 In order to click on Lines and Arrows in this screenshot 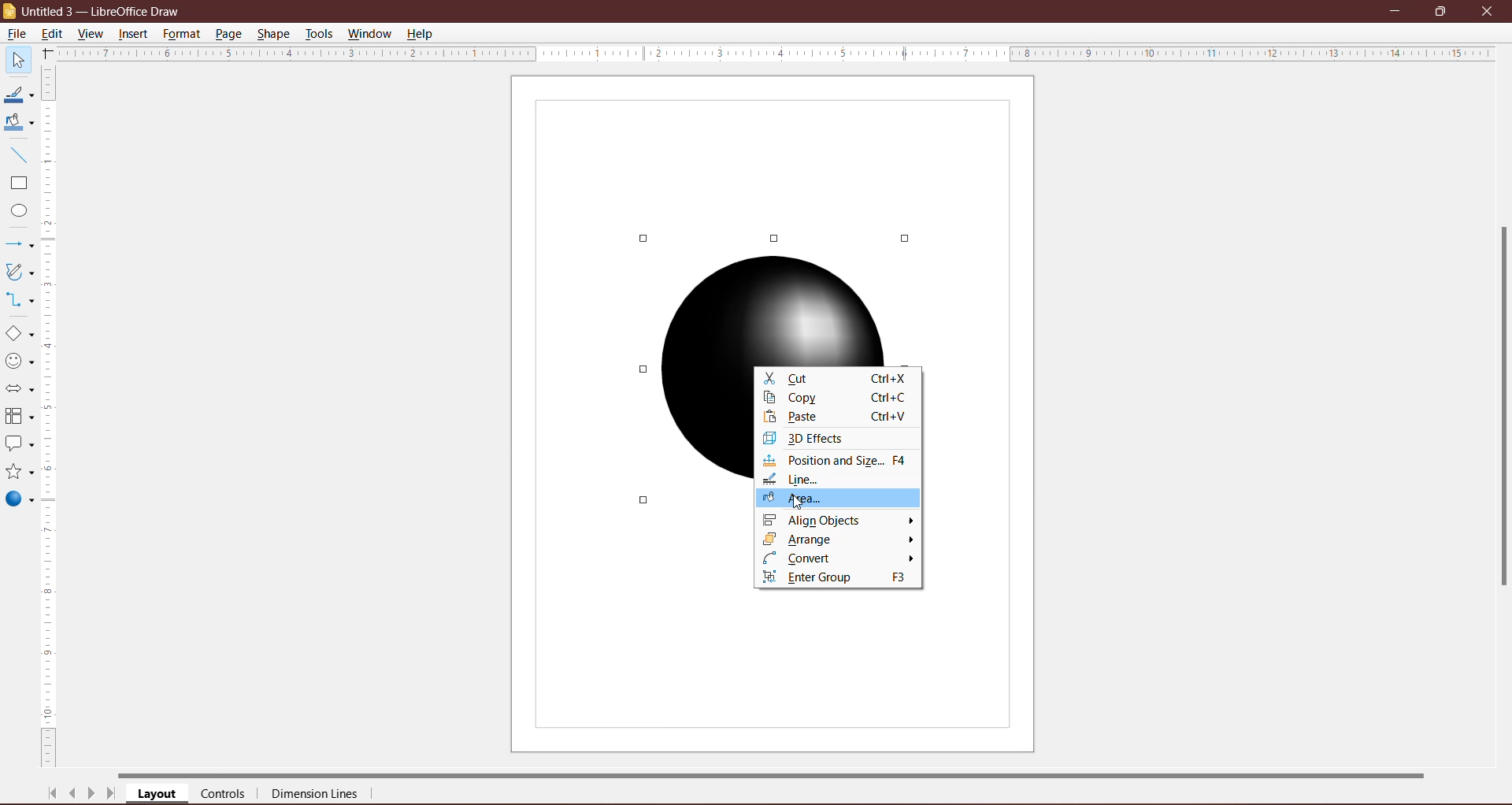, I will do `click(18, 246)`.